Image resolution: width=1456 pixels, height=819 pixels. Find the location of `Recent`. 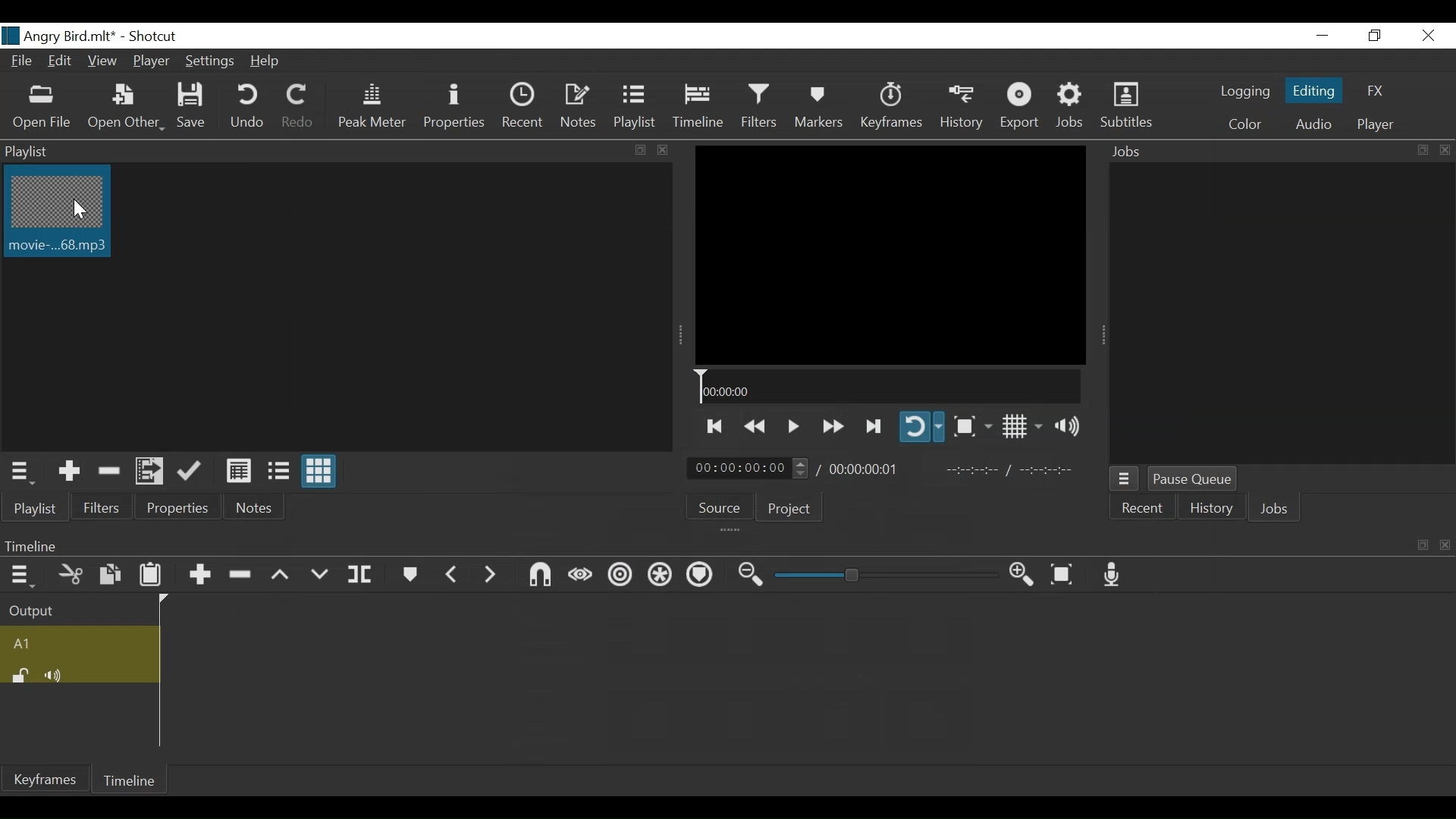

Recent is located at coordinates (1143, 508).